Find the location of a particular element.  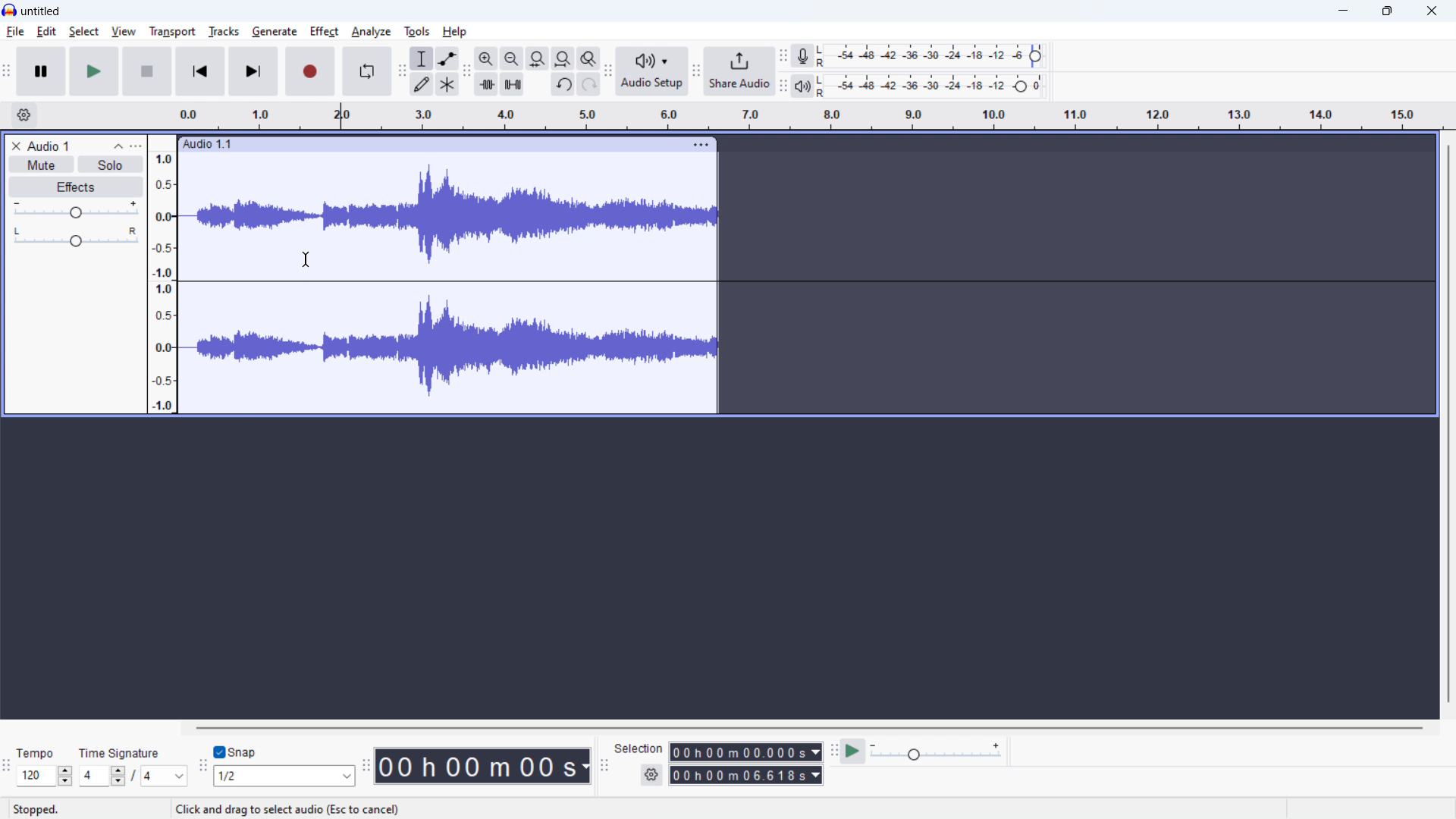

redo is located at coordinates (563, 83).